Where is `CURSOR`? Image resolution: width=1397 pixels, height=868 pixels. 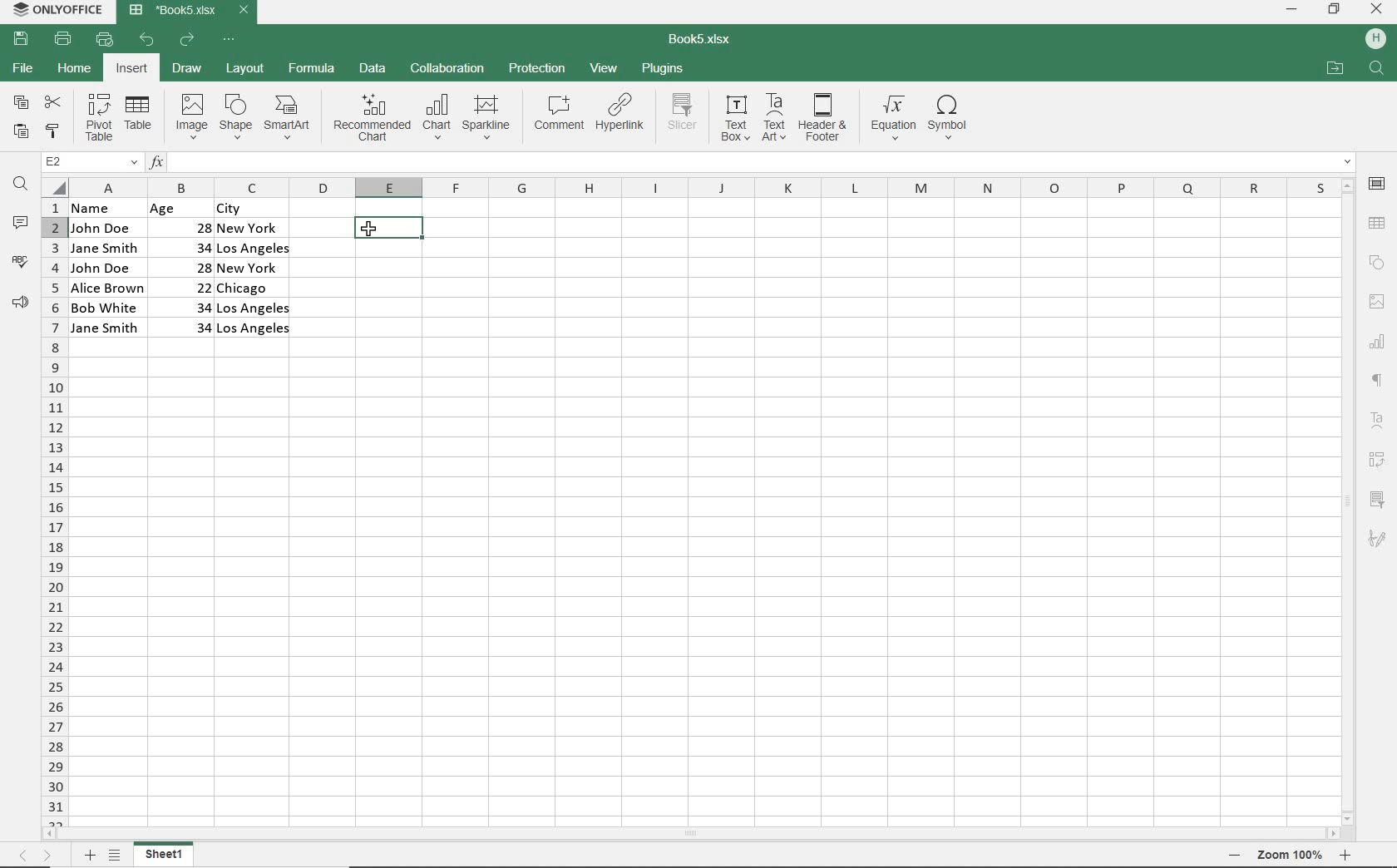 CURSOR is located at coordinates (373, 230).